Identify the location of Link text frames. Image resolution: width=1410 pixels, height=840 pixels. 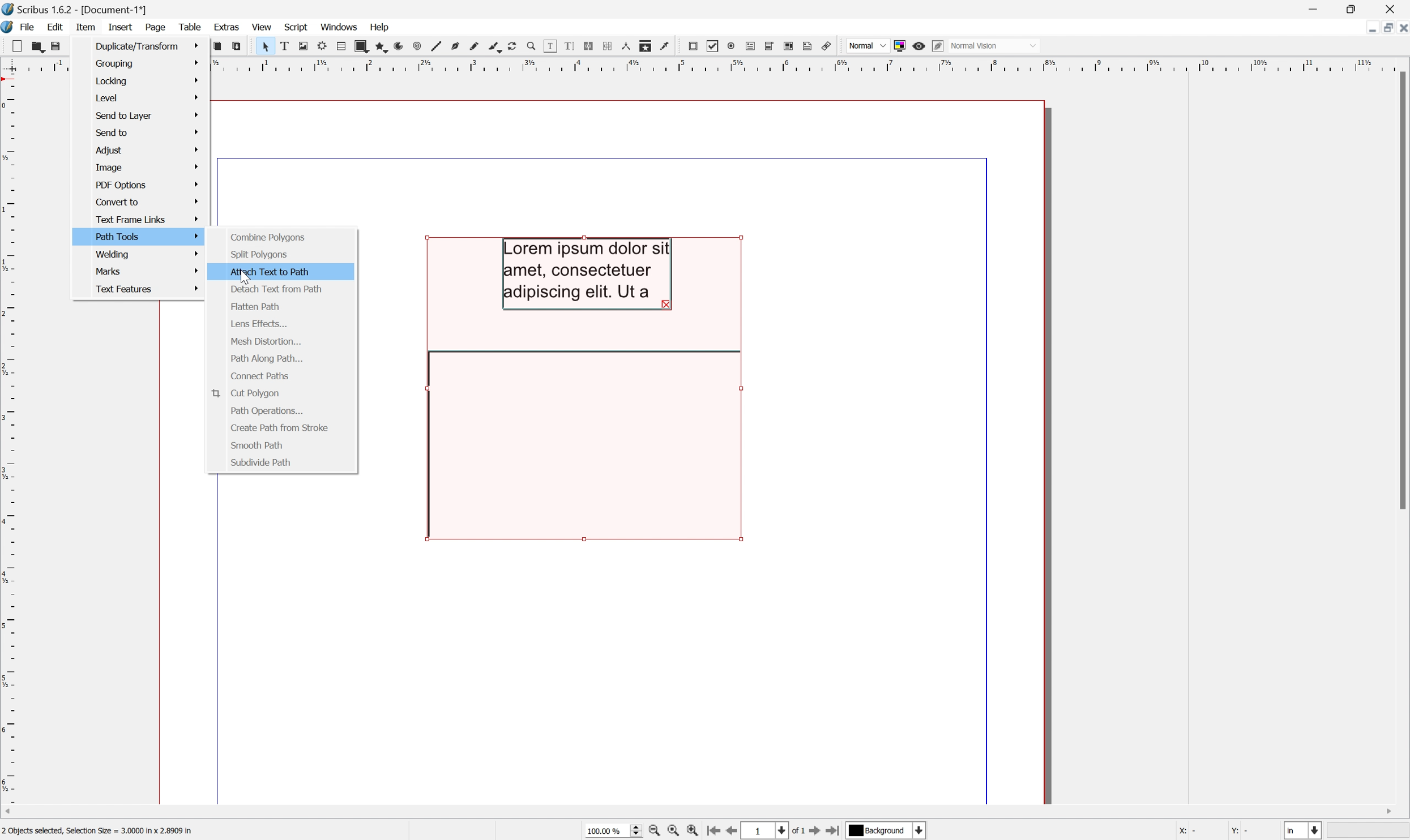
(587, 44).